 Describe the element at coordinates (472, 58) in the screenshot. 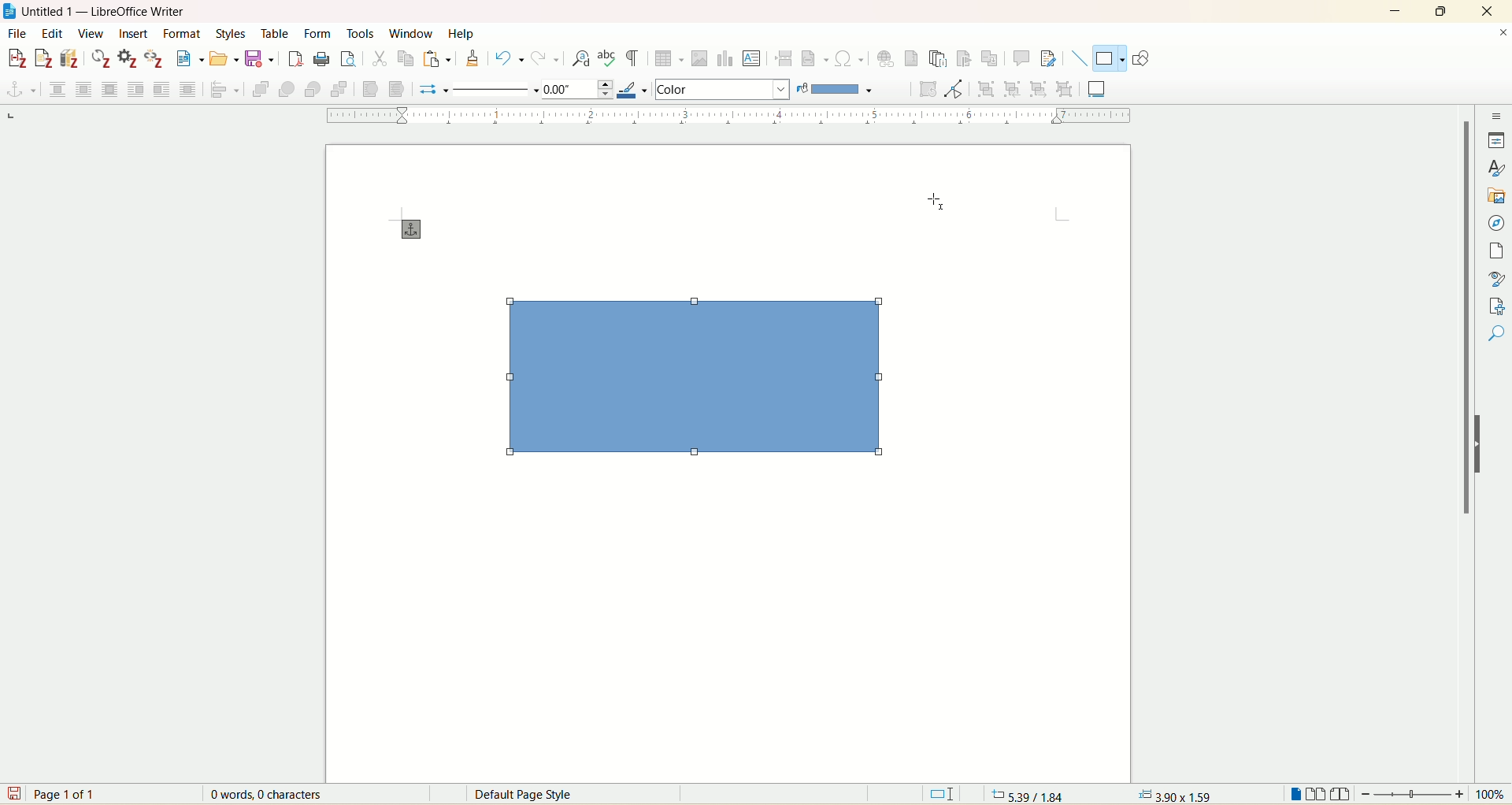

I see `clone formatting` at that location.